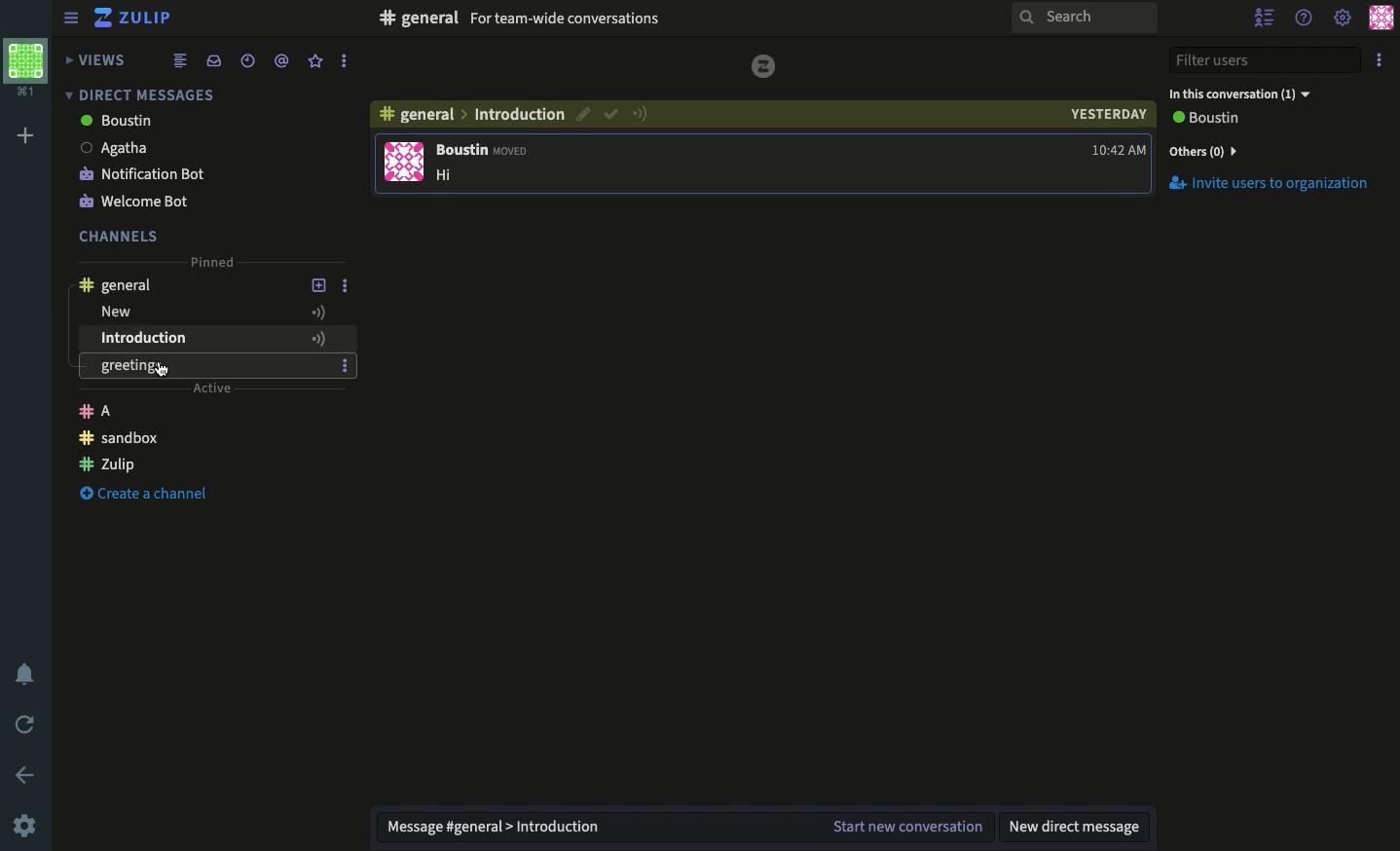 This screenshot has width=1400, height=851. I want to click on zulip logo, so click(764, 66).